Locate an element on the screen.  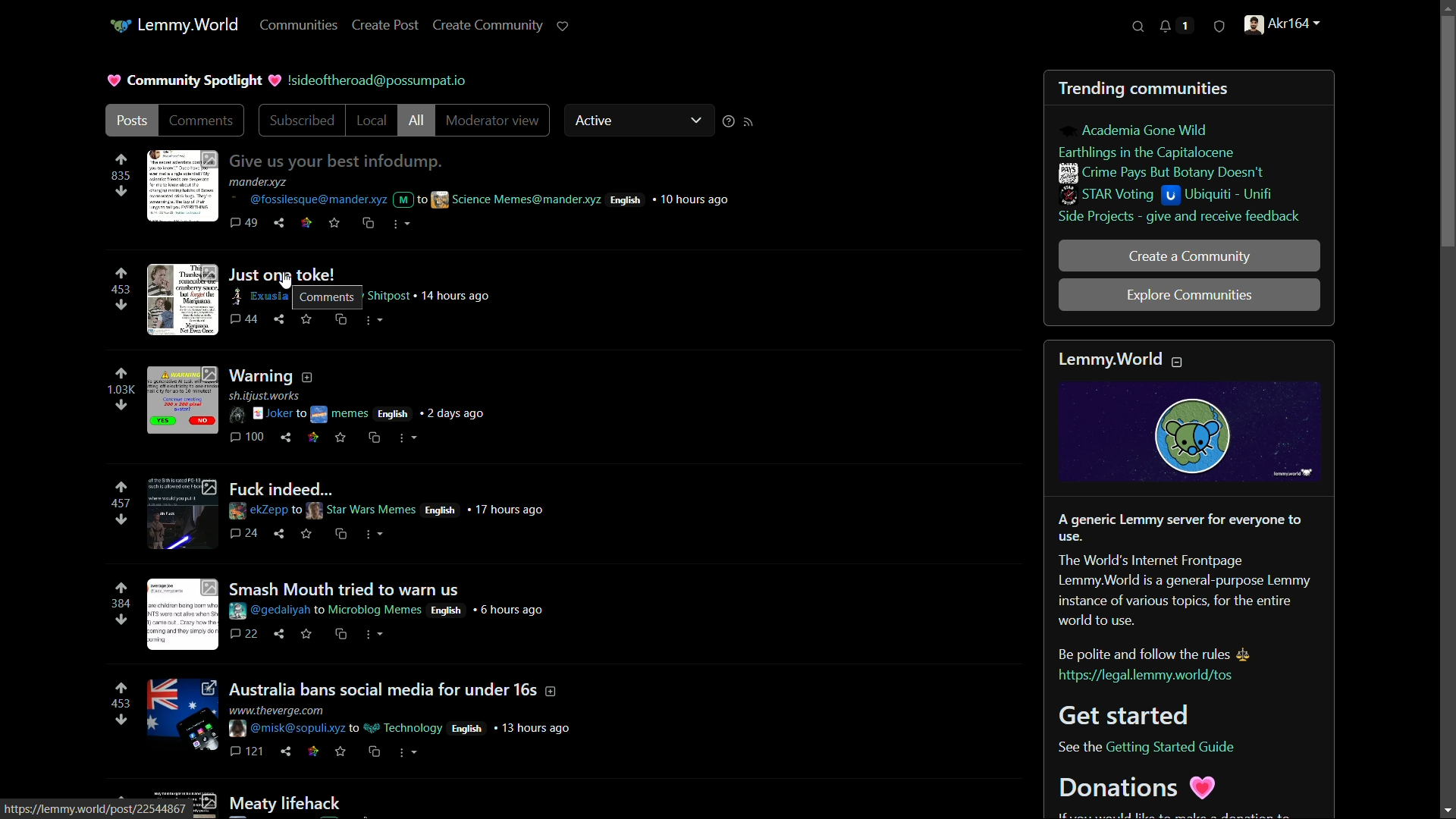
thumbnail is located at coordinates (181, 187).